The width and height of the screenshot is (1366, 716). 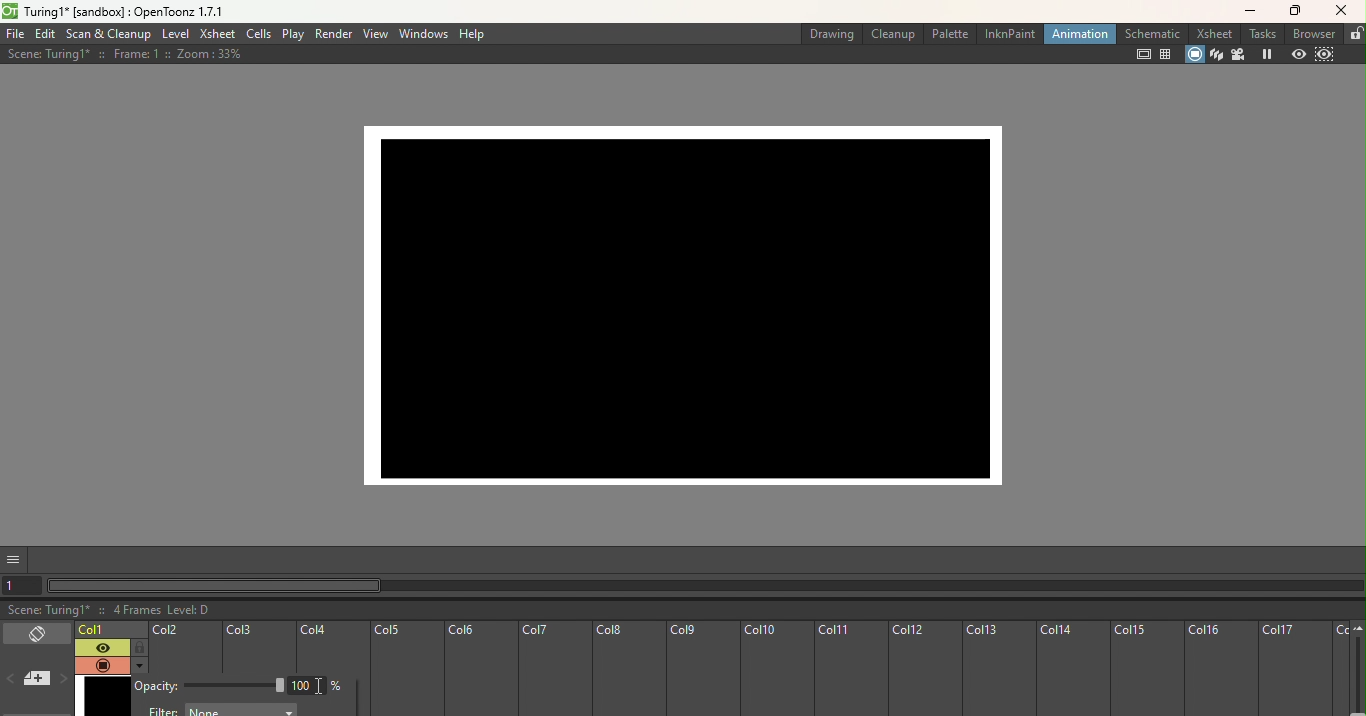 What do you see at coordinates (125, 54) in the screenshot?
I see `Scene: Turing1* :: Frame: 1 :: Zoom: 33%` at bounding box center [125, 54].